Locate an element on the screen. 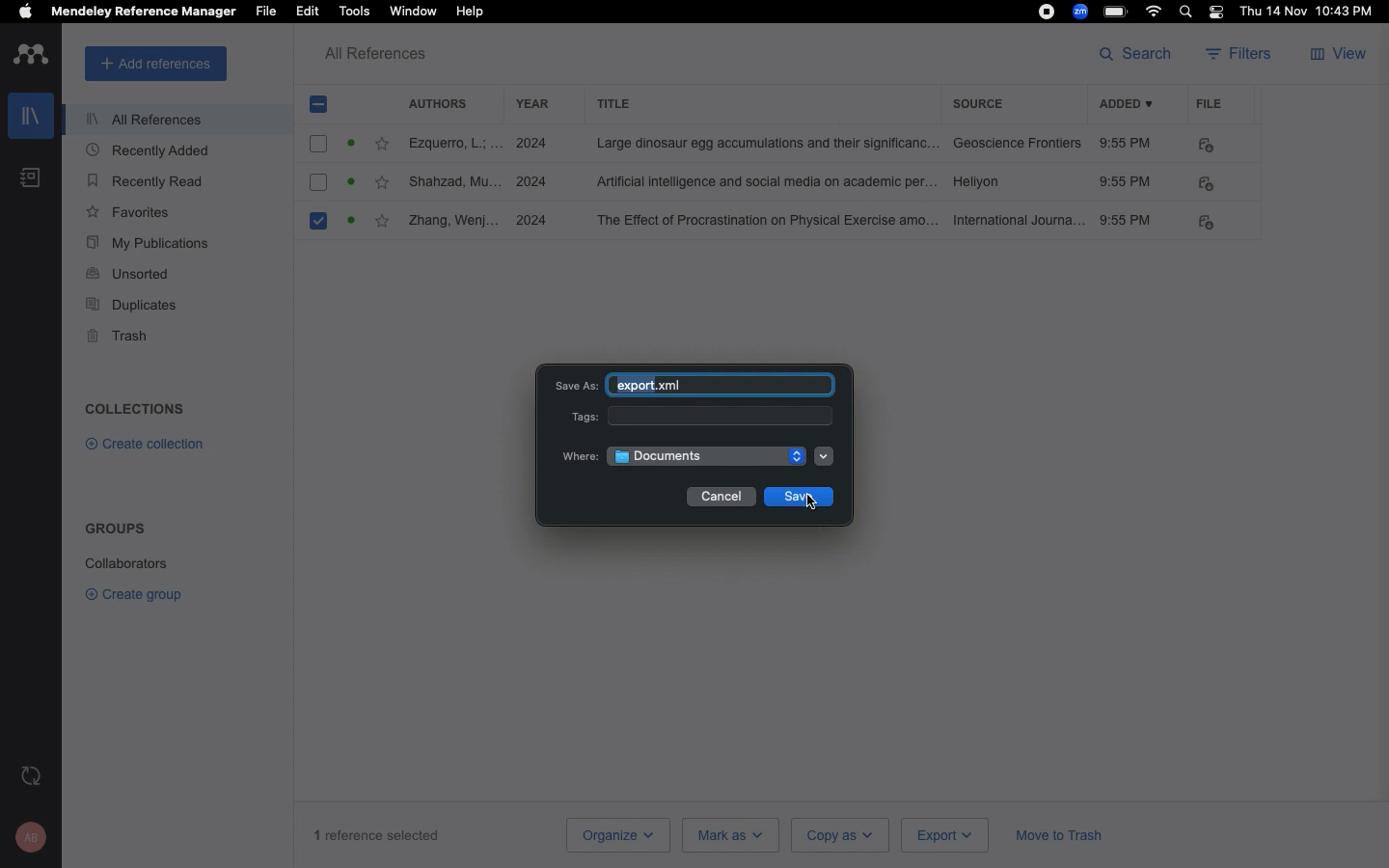 This screenshot has height=868, width=1389. Tools is located at coordinates (352, 11).